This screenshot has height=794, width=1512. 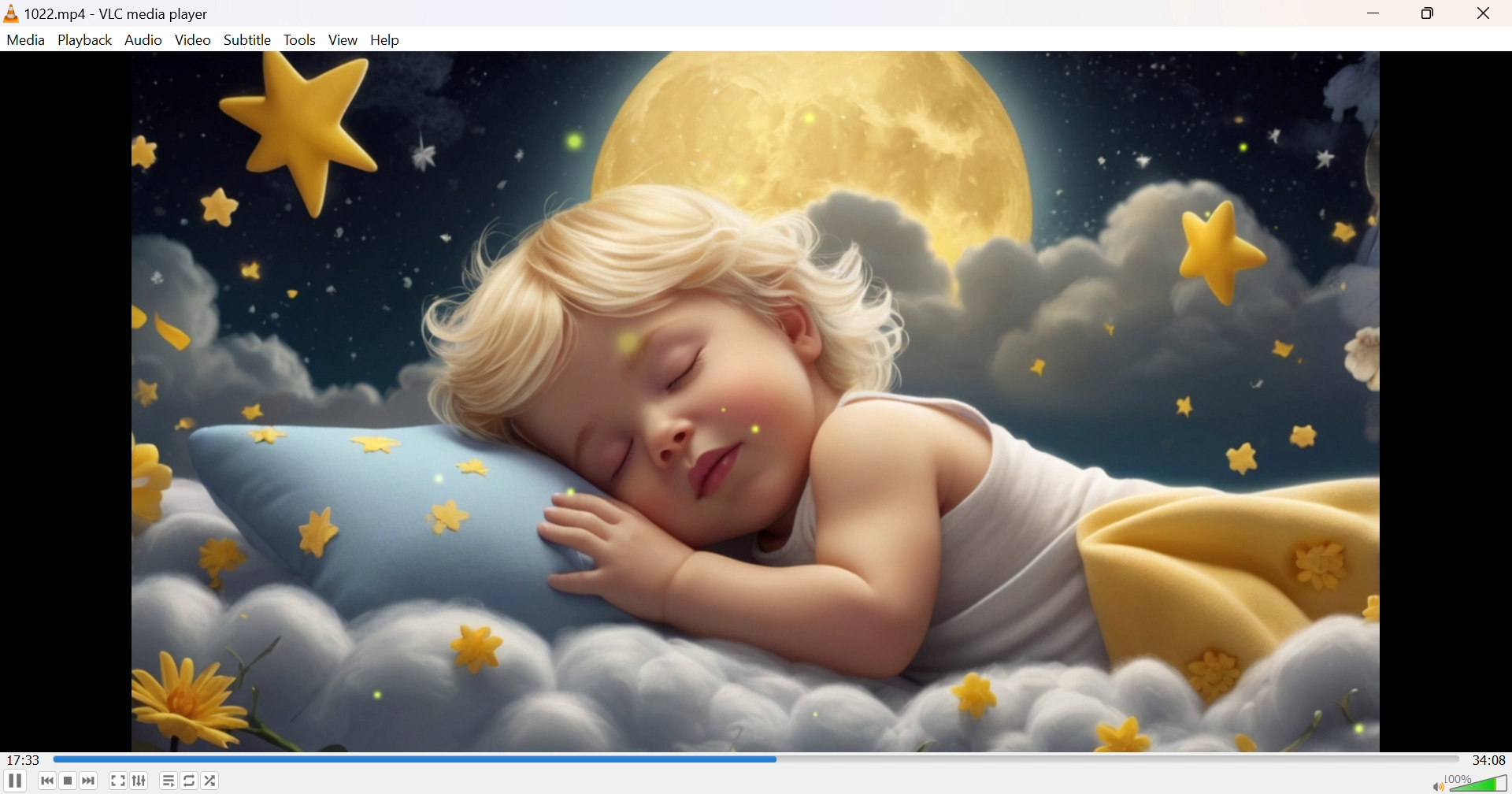 I want to click on Subtitle, so click(x=248, y=39).